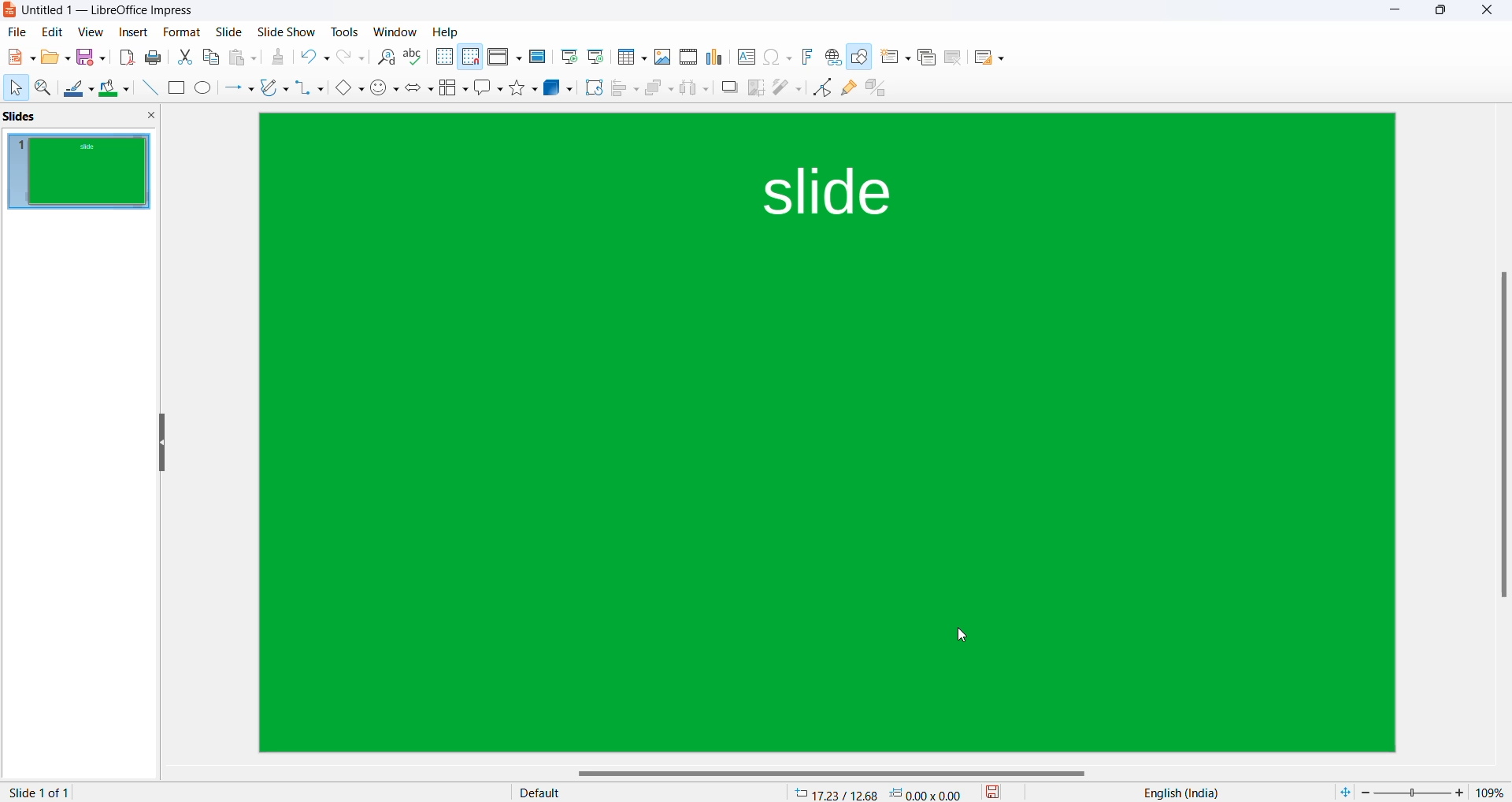 The height and width of the screenshot is (802, 1512). Describe the element at coordinates (832, 57) in the screenshot. I see `insert hyperlink` at that location.